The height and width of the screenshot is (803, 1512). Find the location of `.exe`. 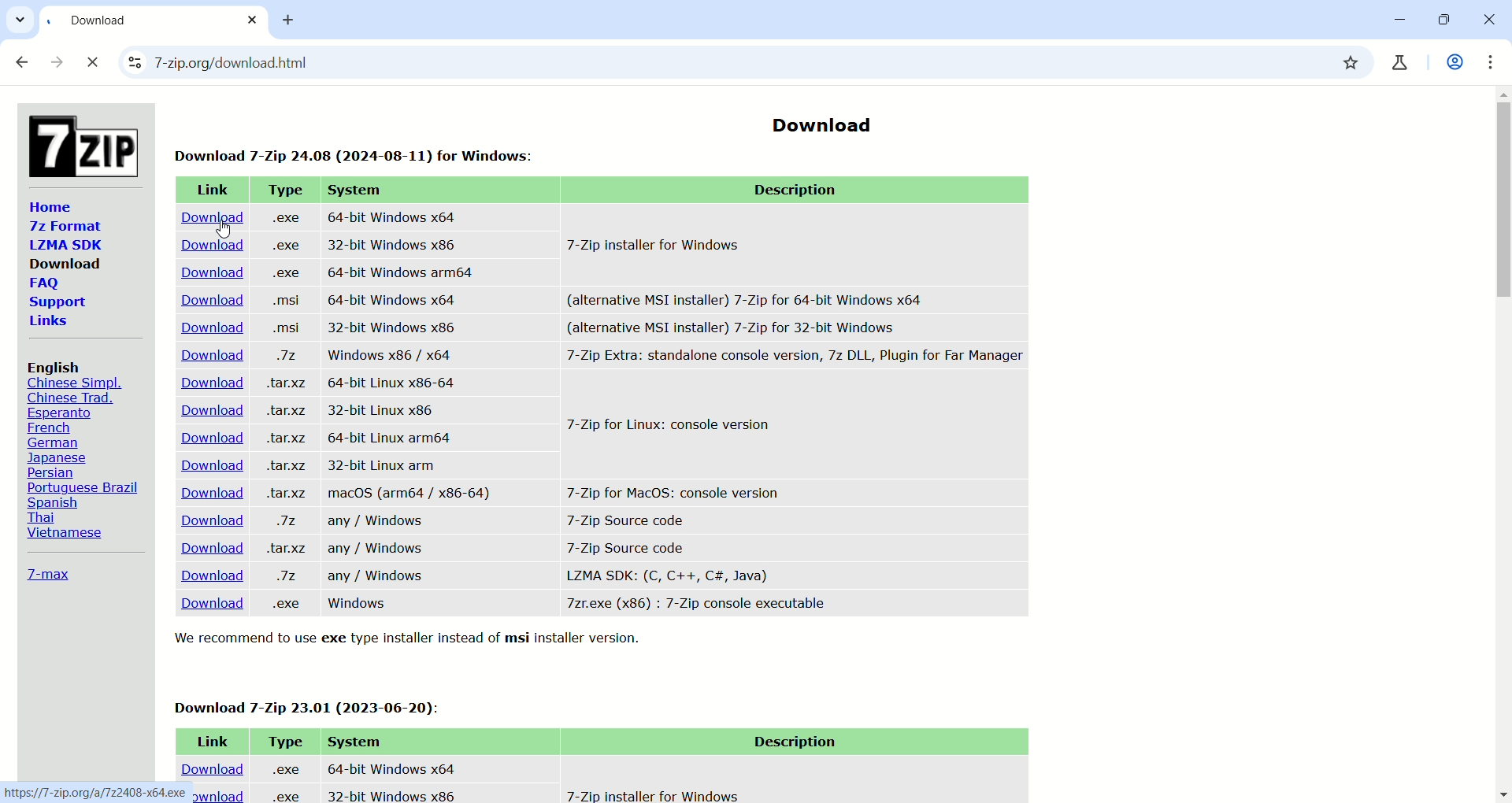

.exe is located at coordinates (285, 244).